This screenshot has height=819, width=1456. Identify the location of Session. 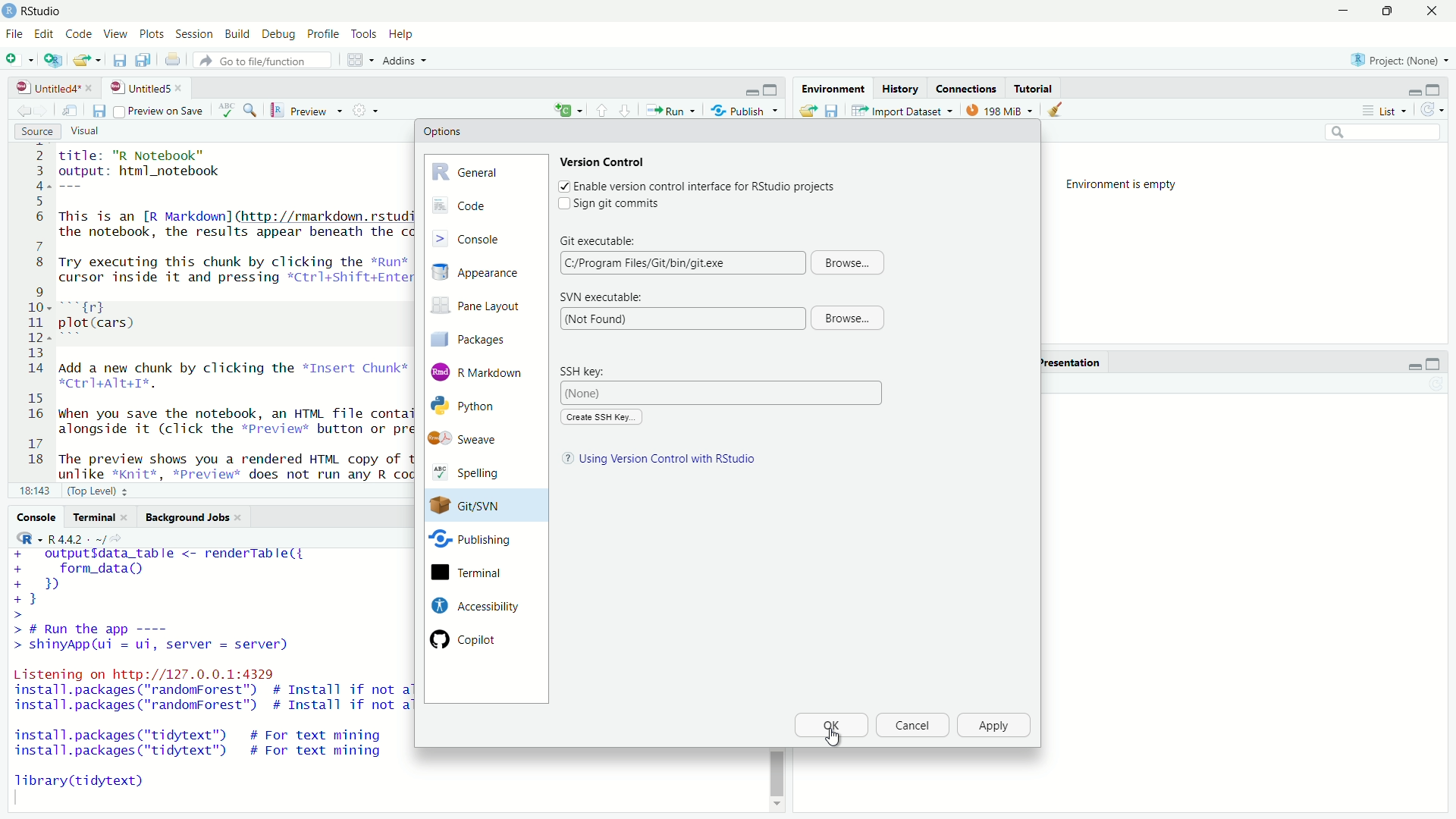
(196, 35).